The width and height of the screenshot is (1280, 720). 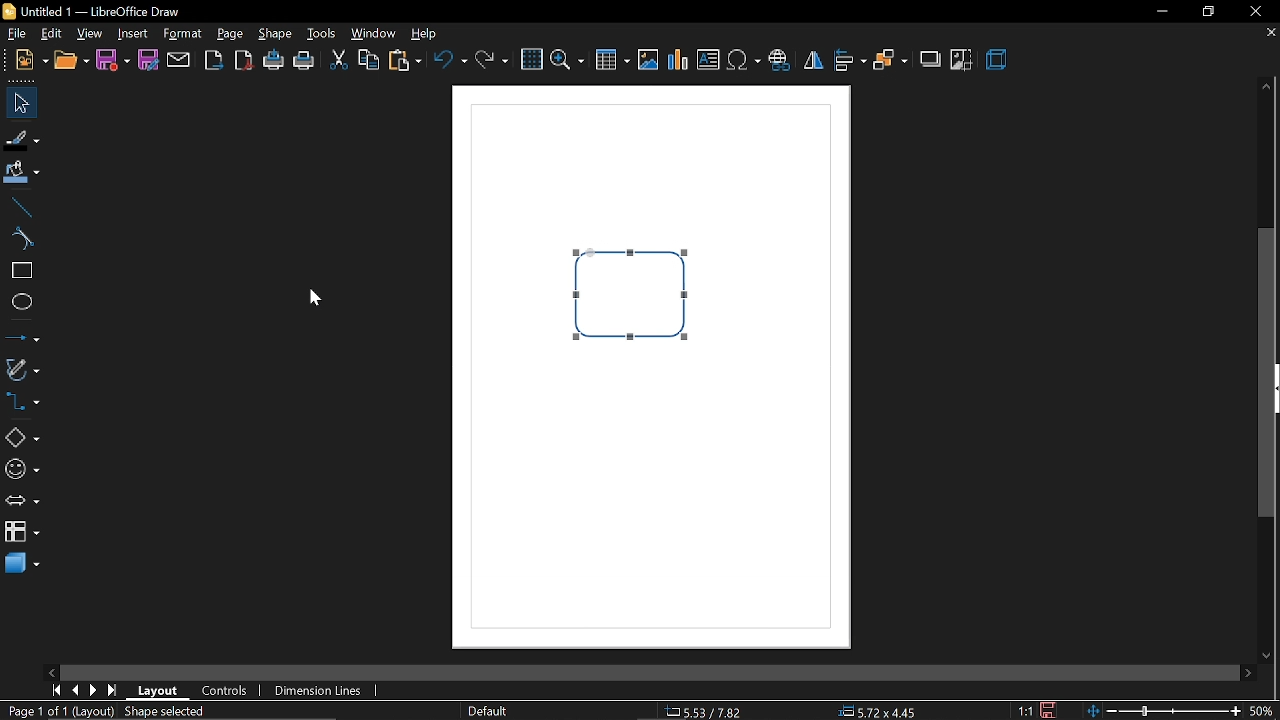 What do you see at coordinates (90, 10) in the screenshot?
I see `current window` at bounding box center [90, 10].